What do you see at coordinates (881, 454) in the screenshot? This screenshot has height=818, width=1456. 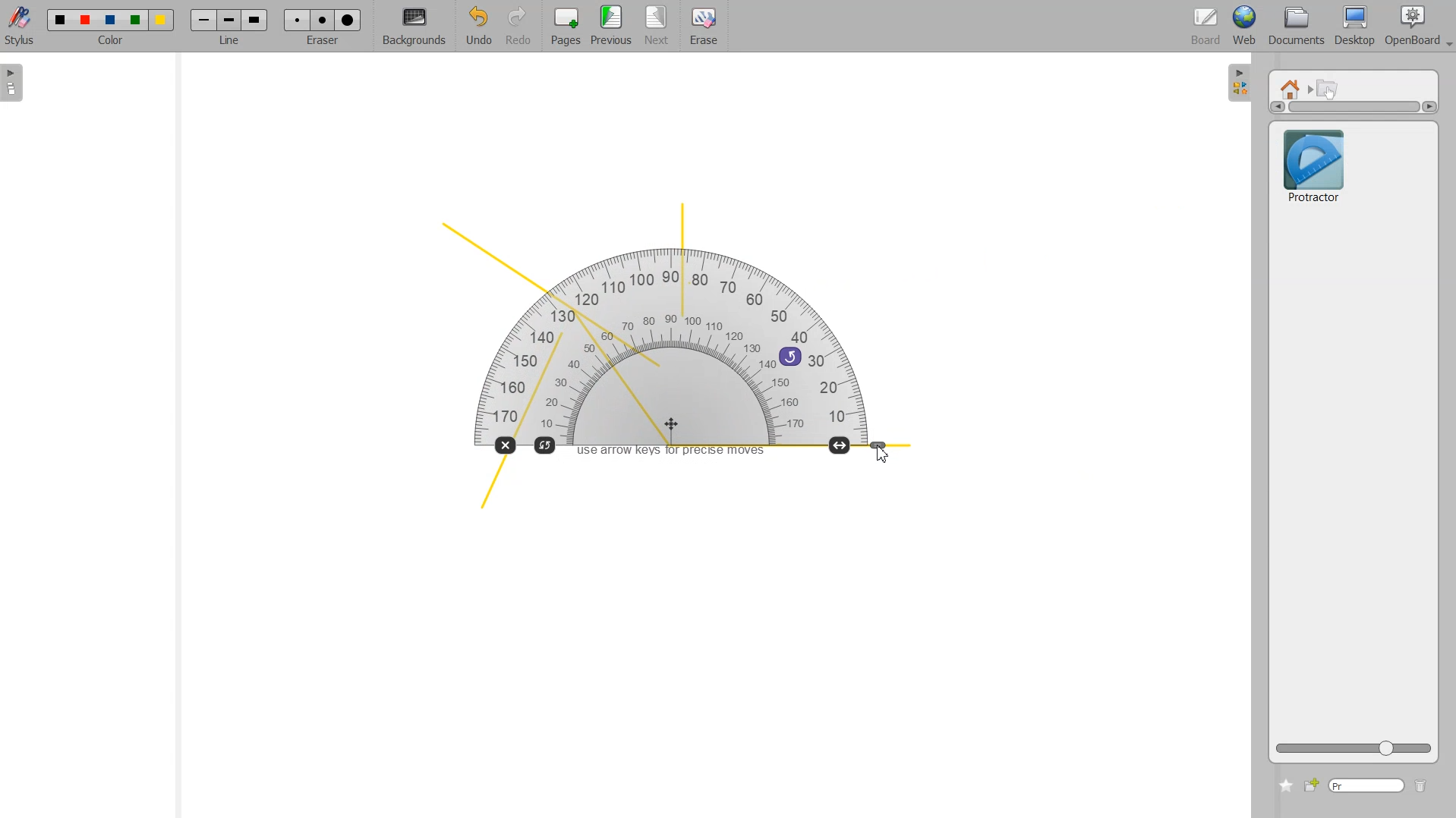 I see `Cursor` at bounding box center [881, 454].